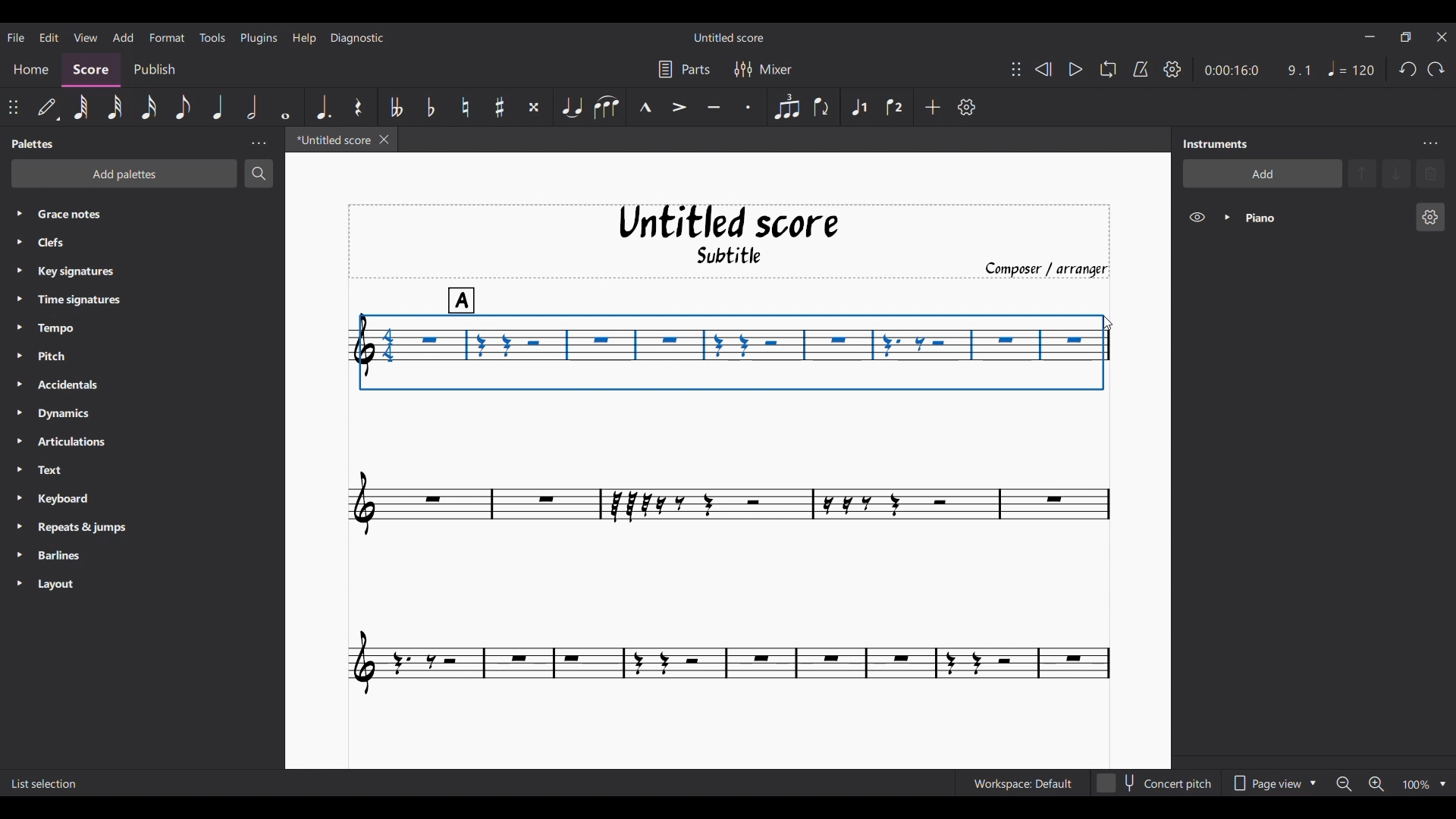  I want to click on Tools menu, so click(212, 38).